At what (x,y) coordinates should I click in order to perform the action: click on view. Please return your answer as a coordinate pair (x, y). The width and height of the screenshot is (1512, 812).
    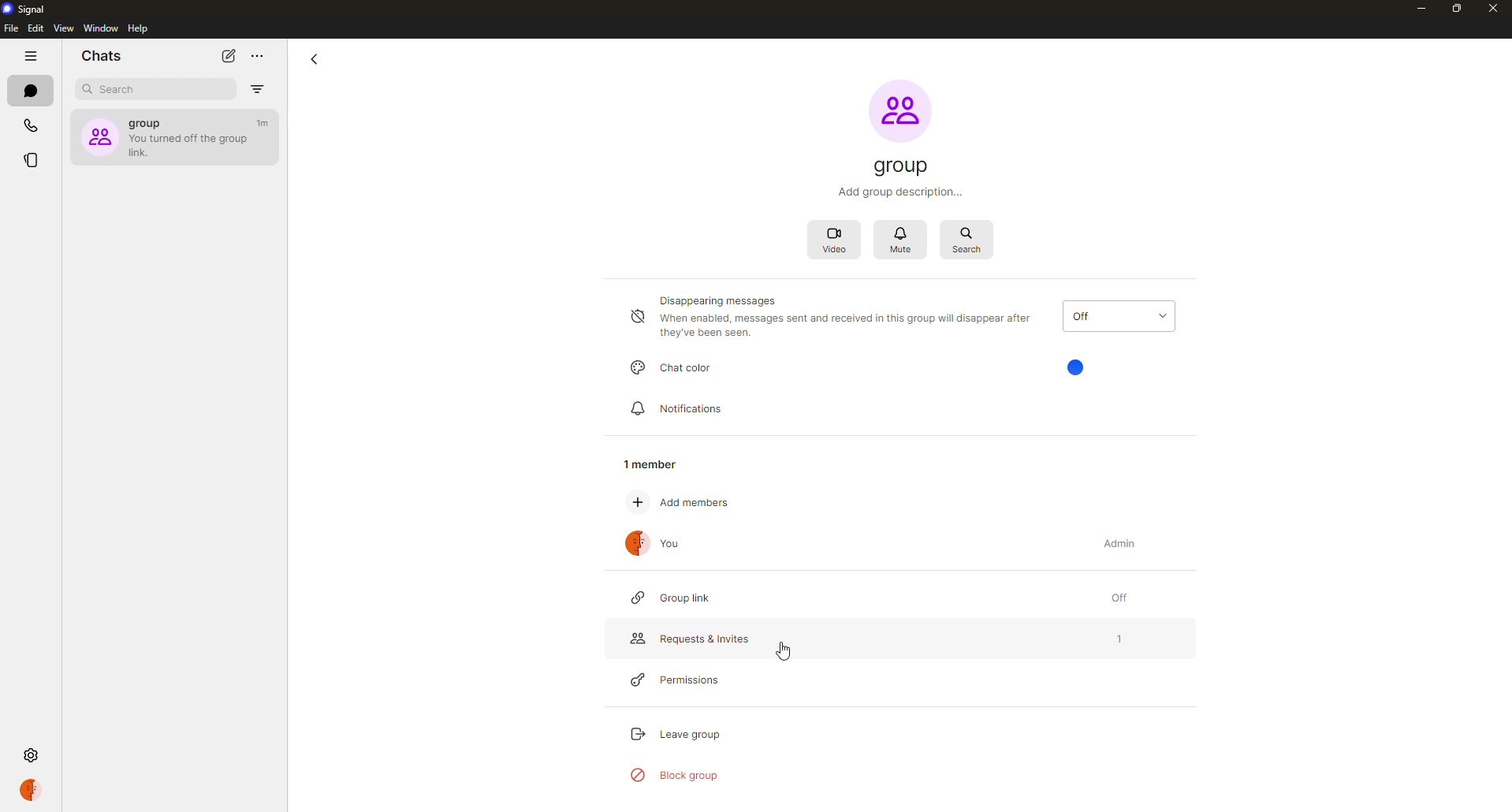
    Looking at the image, I should click on (64, 29).